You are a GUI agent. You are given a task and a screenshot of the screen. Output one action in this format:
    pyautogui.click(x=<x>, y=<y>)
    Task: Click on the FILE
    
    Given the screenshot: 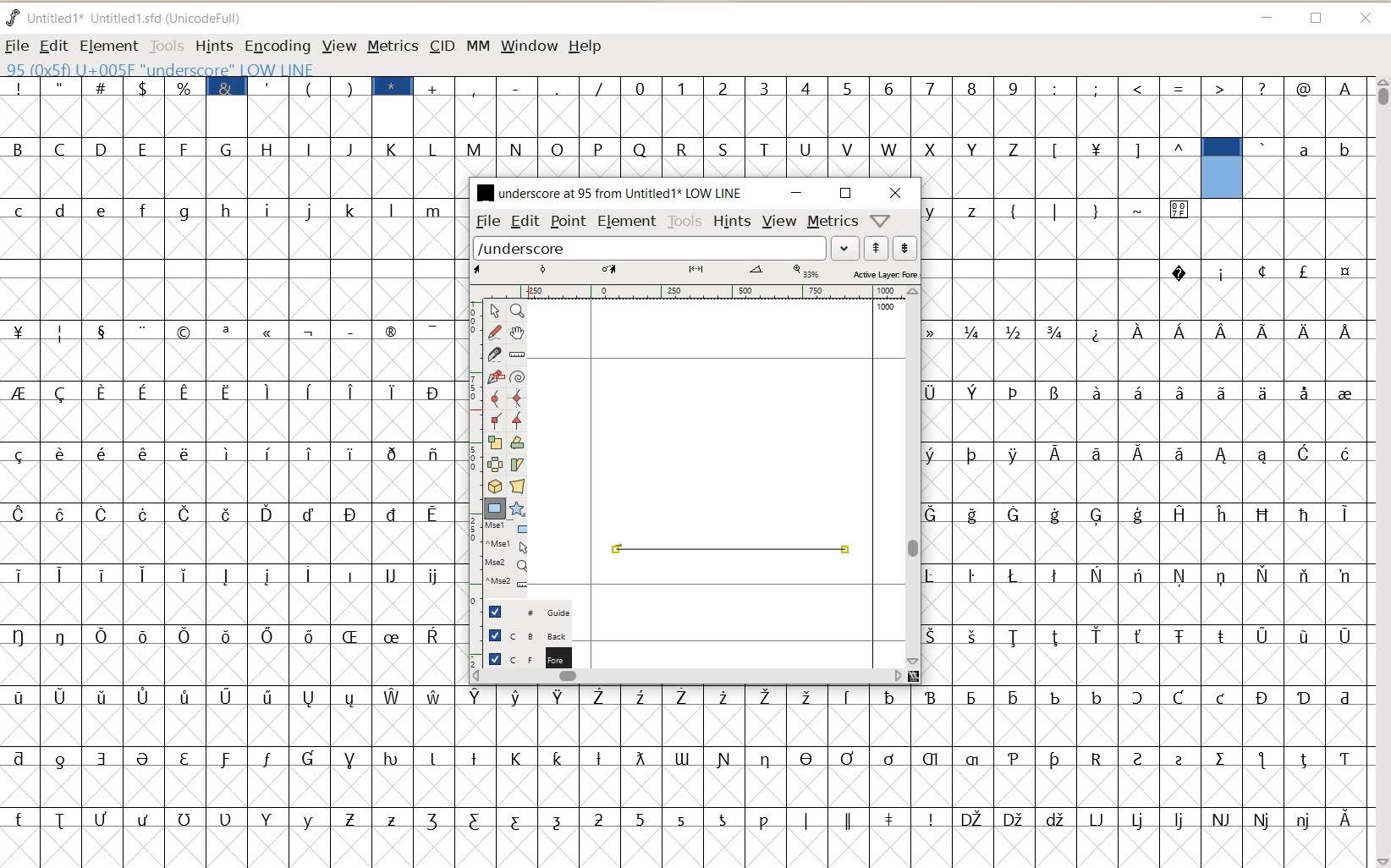 What is the action you would take?
    pyautogui.click(x=487, y=222)
    